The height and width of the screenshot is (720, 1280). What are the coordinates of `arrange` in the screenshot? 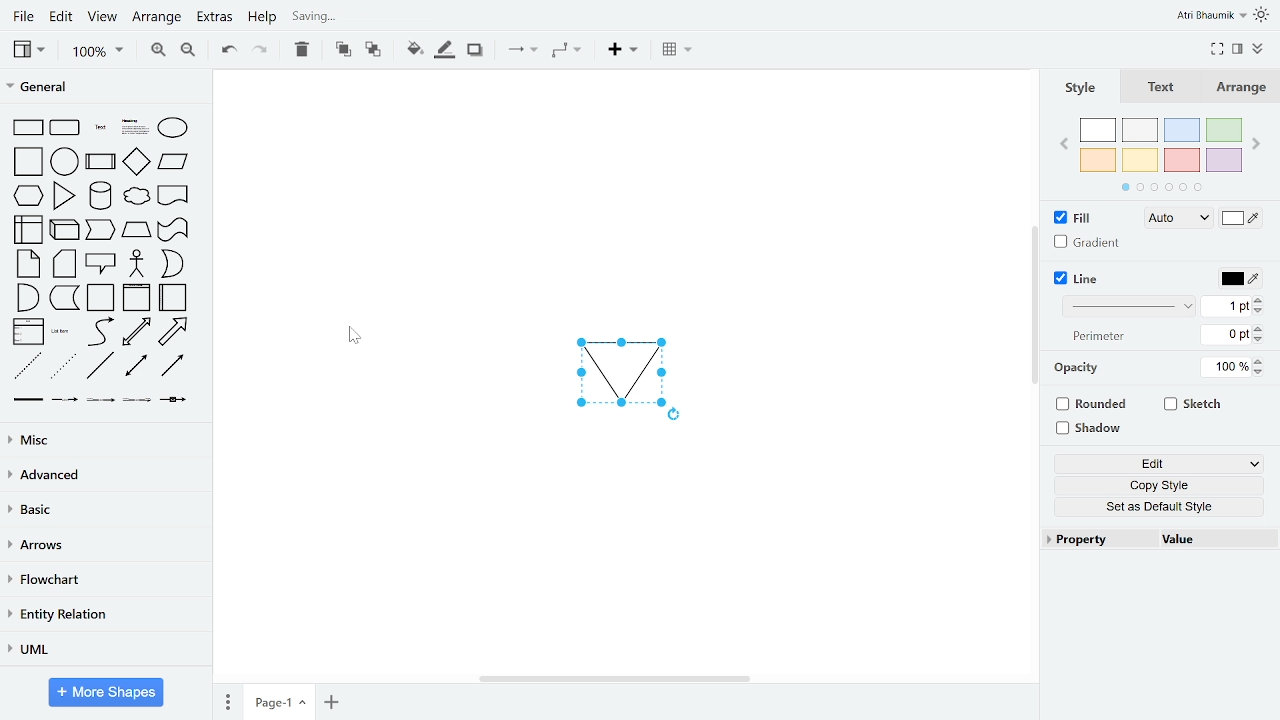 It's located at (1246, 87).